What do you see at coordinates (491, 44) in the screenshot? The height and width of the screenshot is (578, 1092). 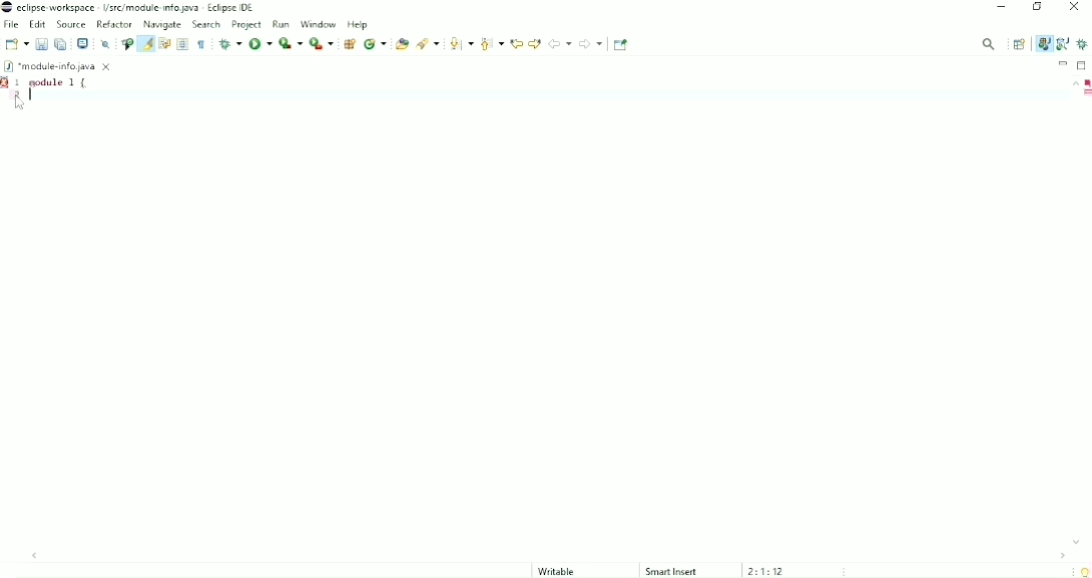 I see `Previous annotation` at bounding box center [491, 44].